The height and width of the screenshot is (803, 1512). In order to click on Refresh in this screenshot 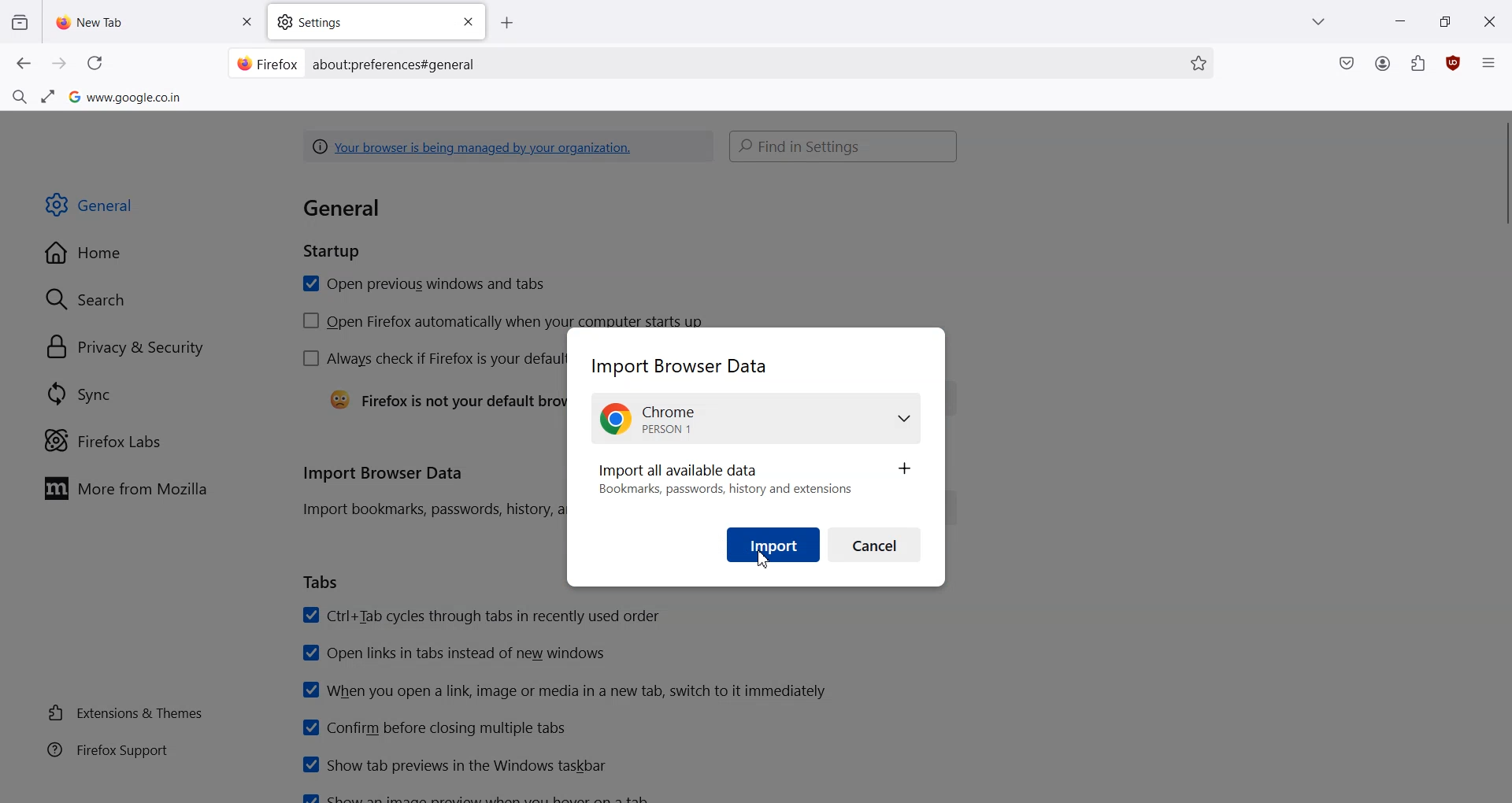, I will do `click(94, 63)`.